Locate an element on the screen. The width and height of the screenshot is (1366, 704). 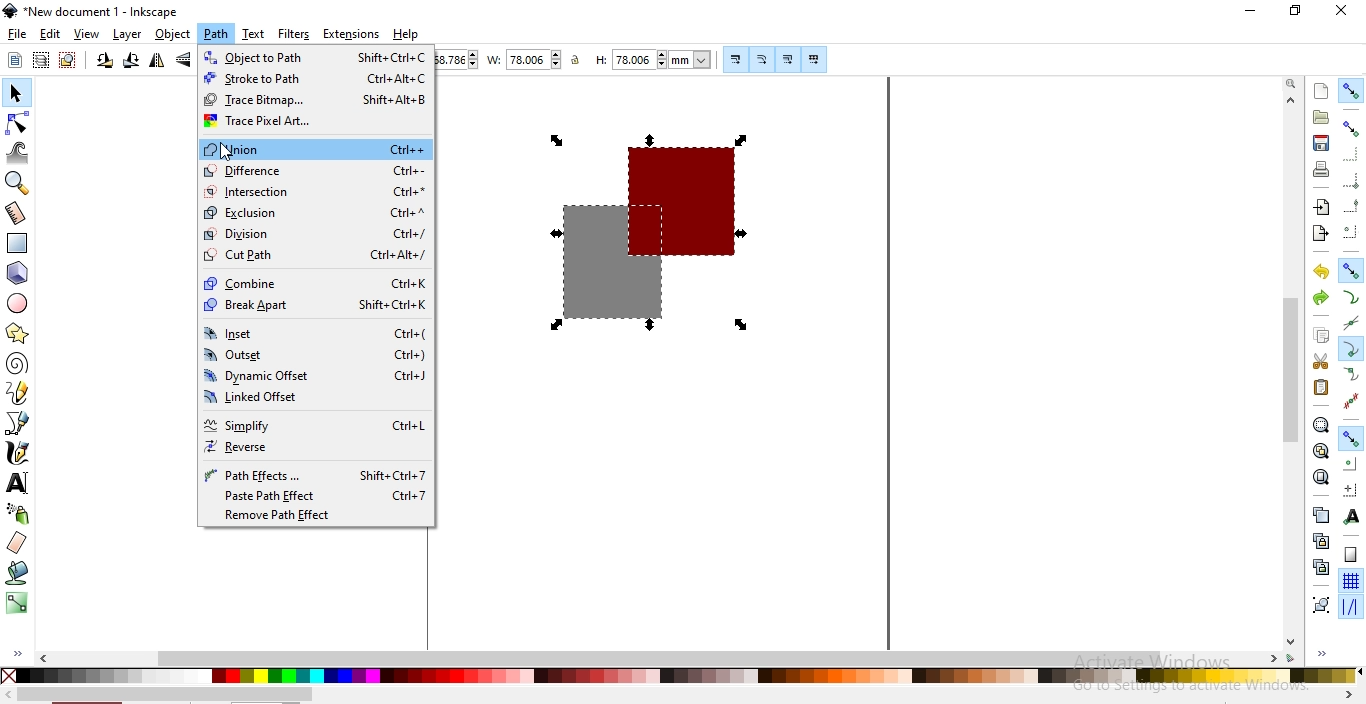
create and edit gradient lines is located at coordinates (15, 601).